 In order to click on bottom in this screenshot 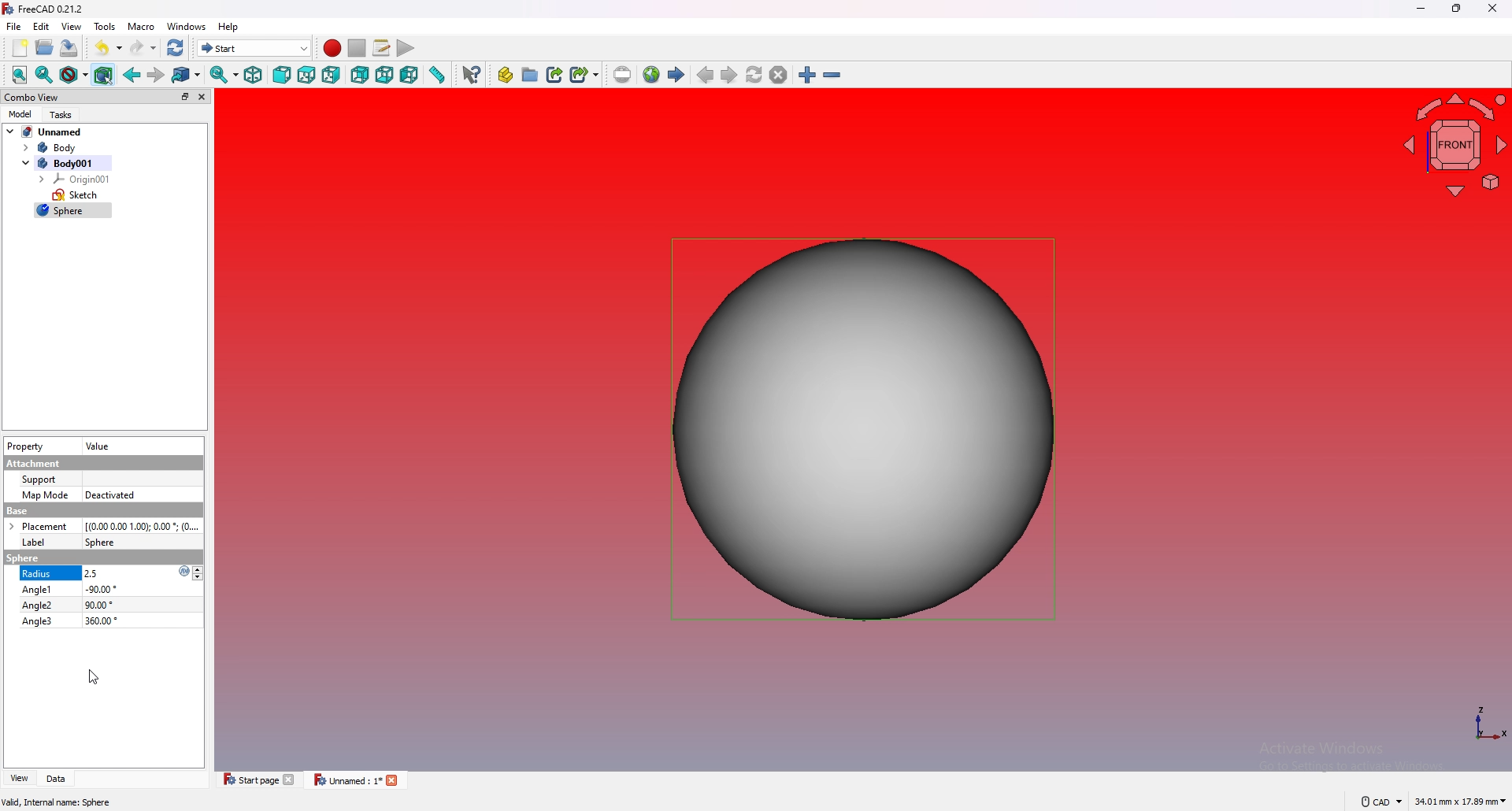, I will do `click(385, 76)`.